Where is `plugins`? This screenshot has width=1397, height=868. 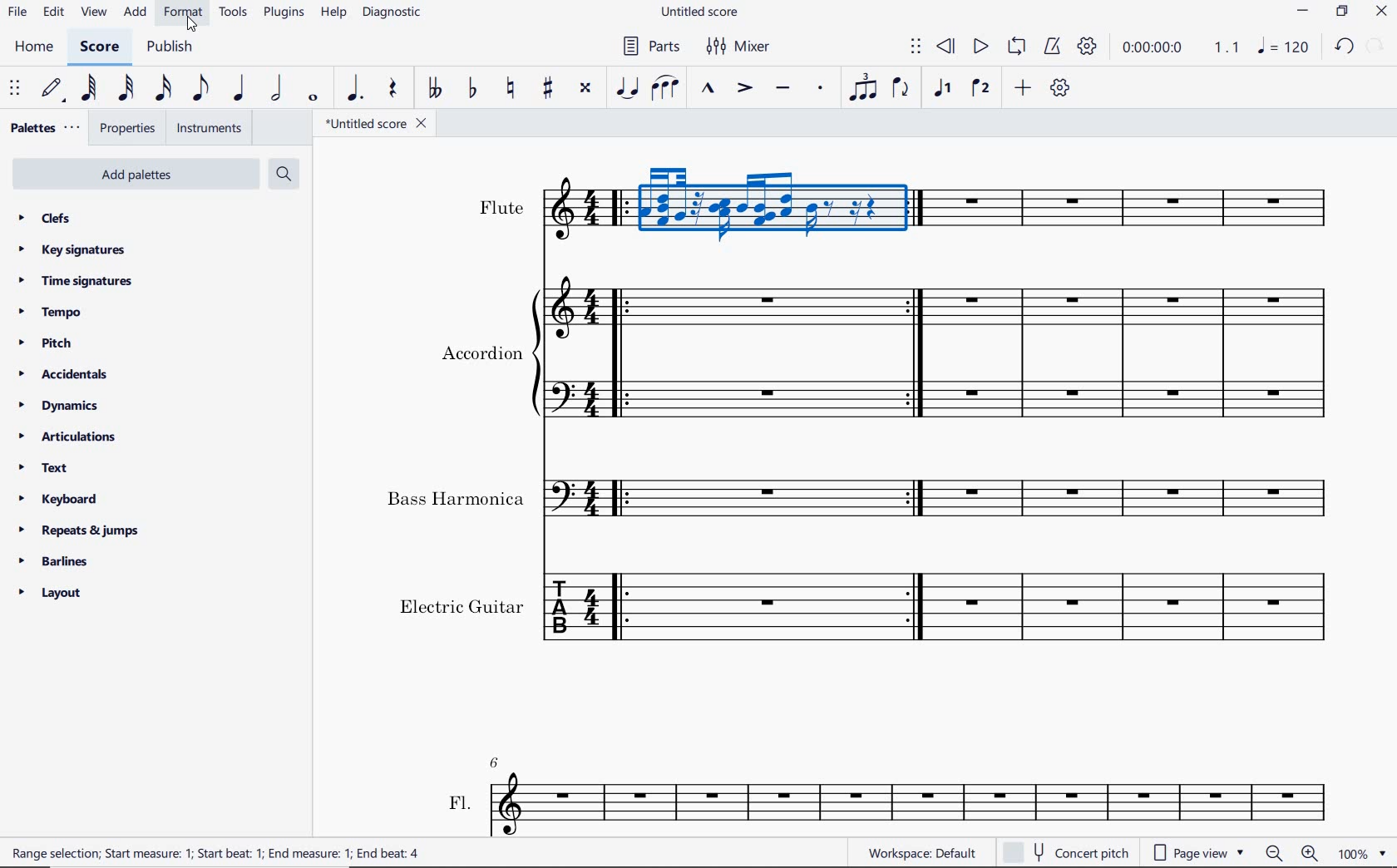 plugins is located at coordinates (284, 12).